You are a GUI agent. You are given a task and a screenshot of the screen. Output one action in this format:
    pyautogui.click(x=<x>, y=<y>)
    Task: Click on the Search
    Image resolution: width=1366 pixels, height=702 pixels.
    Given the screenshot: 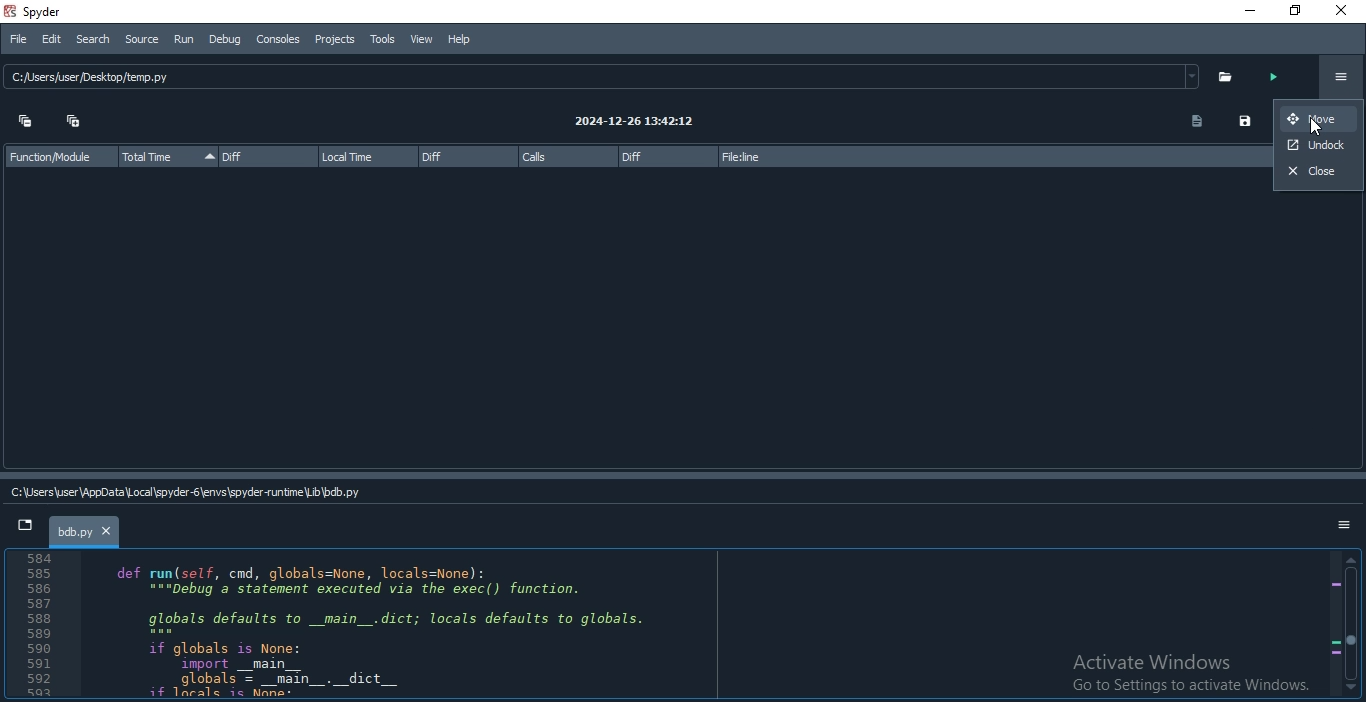 What is the action you would take?
    pyautogui.click(x=96, y=40)
    